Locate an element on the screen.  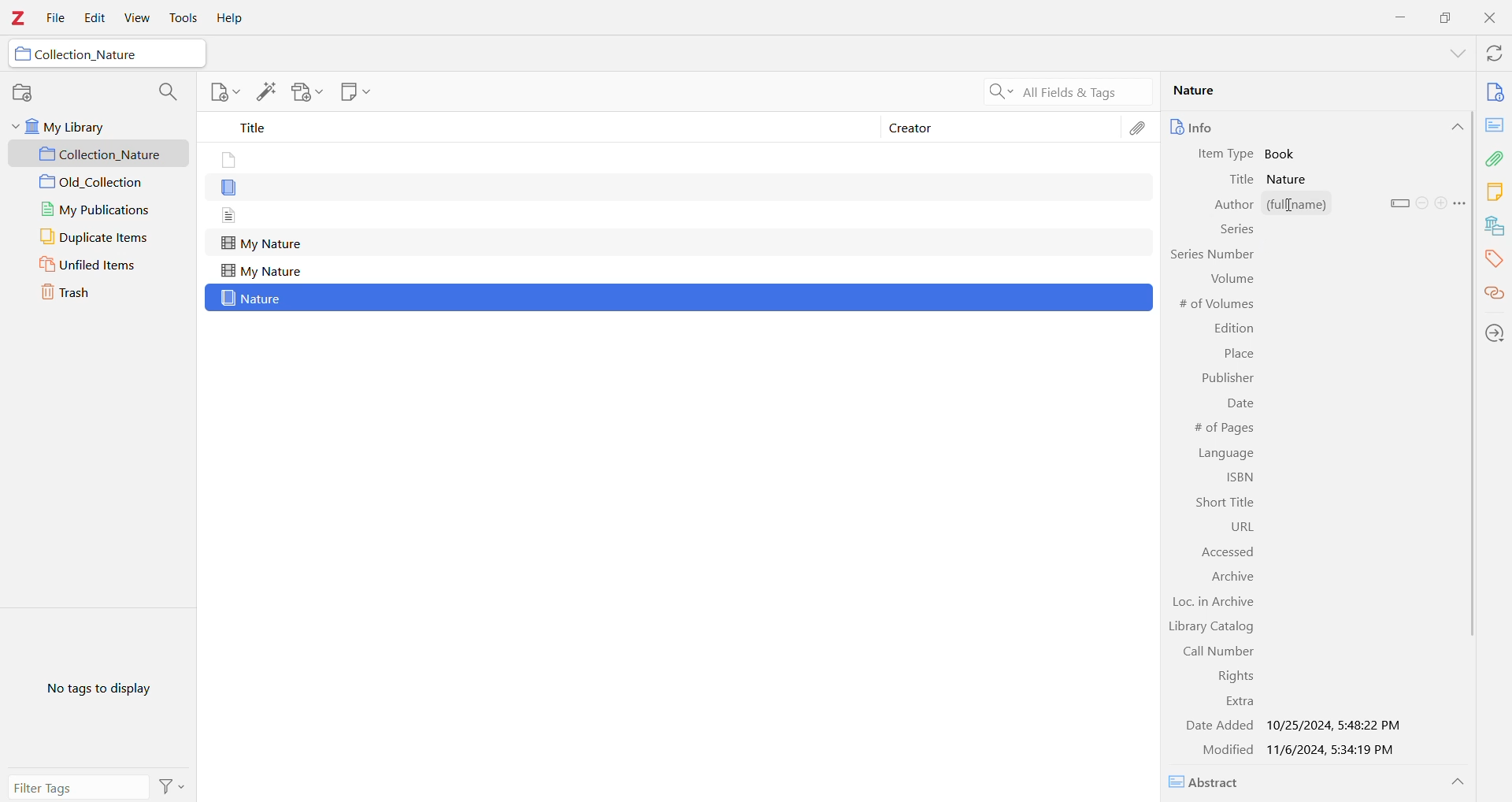
Add Note is located at coordinates (224, 91).